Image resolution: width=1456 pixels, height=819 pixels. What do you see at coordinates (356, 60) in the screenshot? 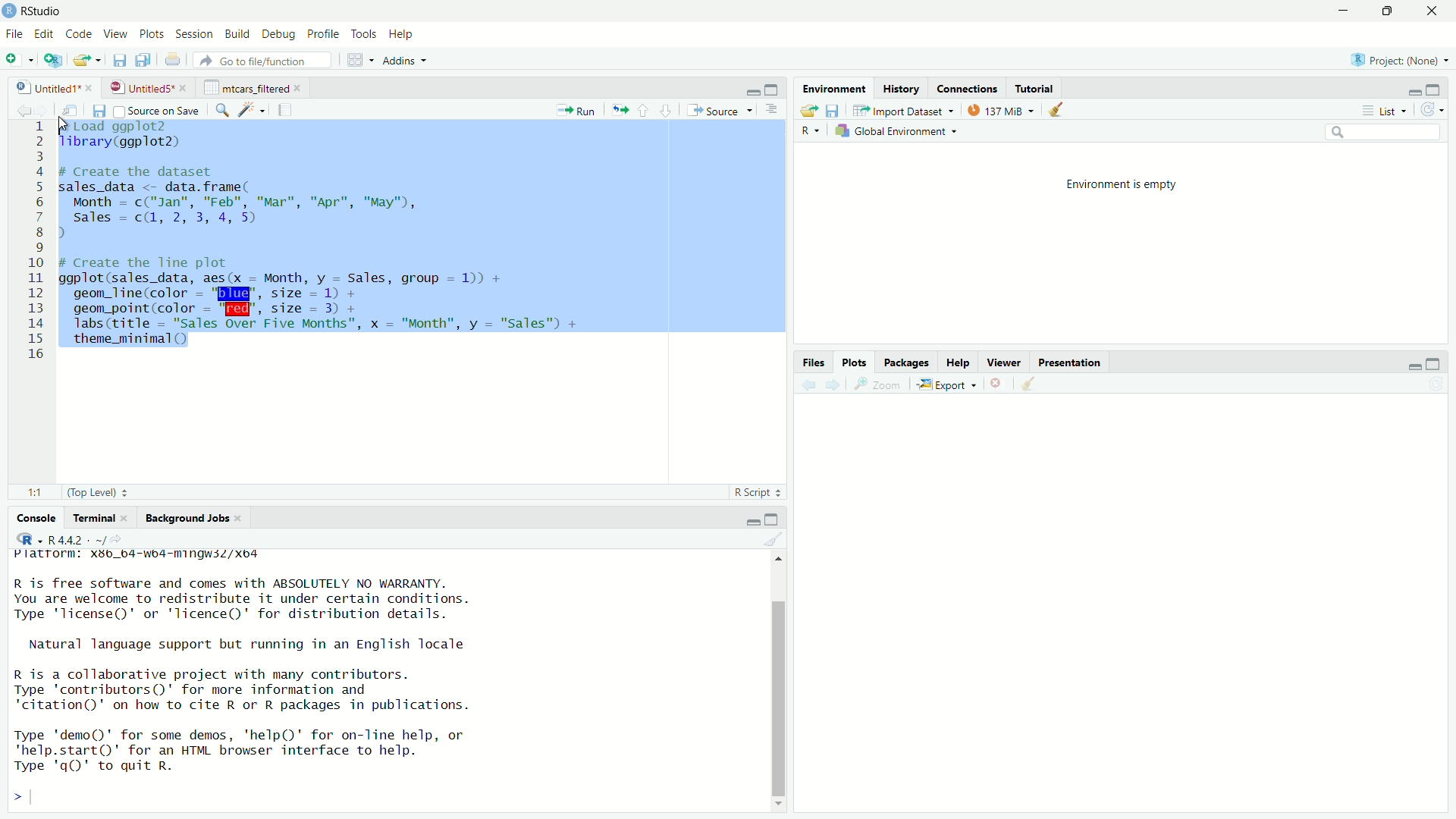
I see `workspace panes` at bounding box center [356, 60].